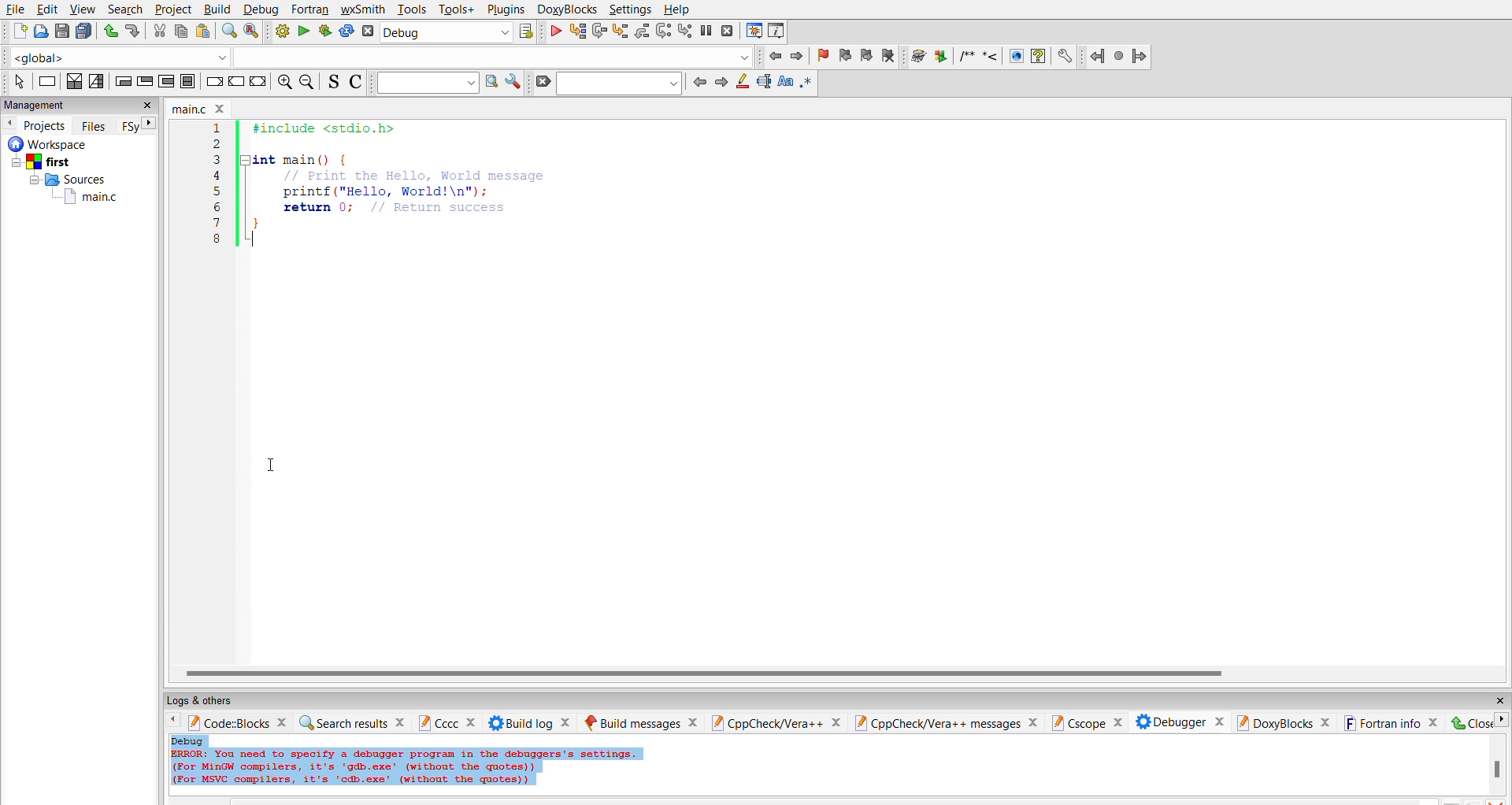 Image resolution: width=1512 pixels, height=805 pixels. I want to click on save, so click(61, 33).